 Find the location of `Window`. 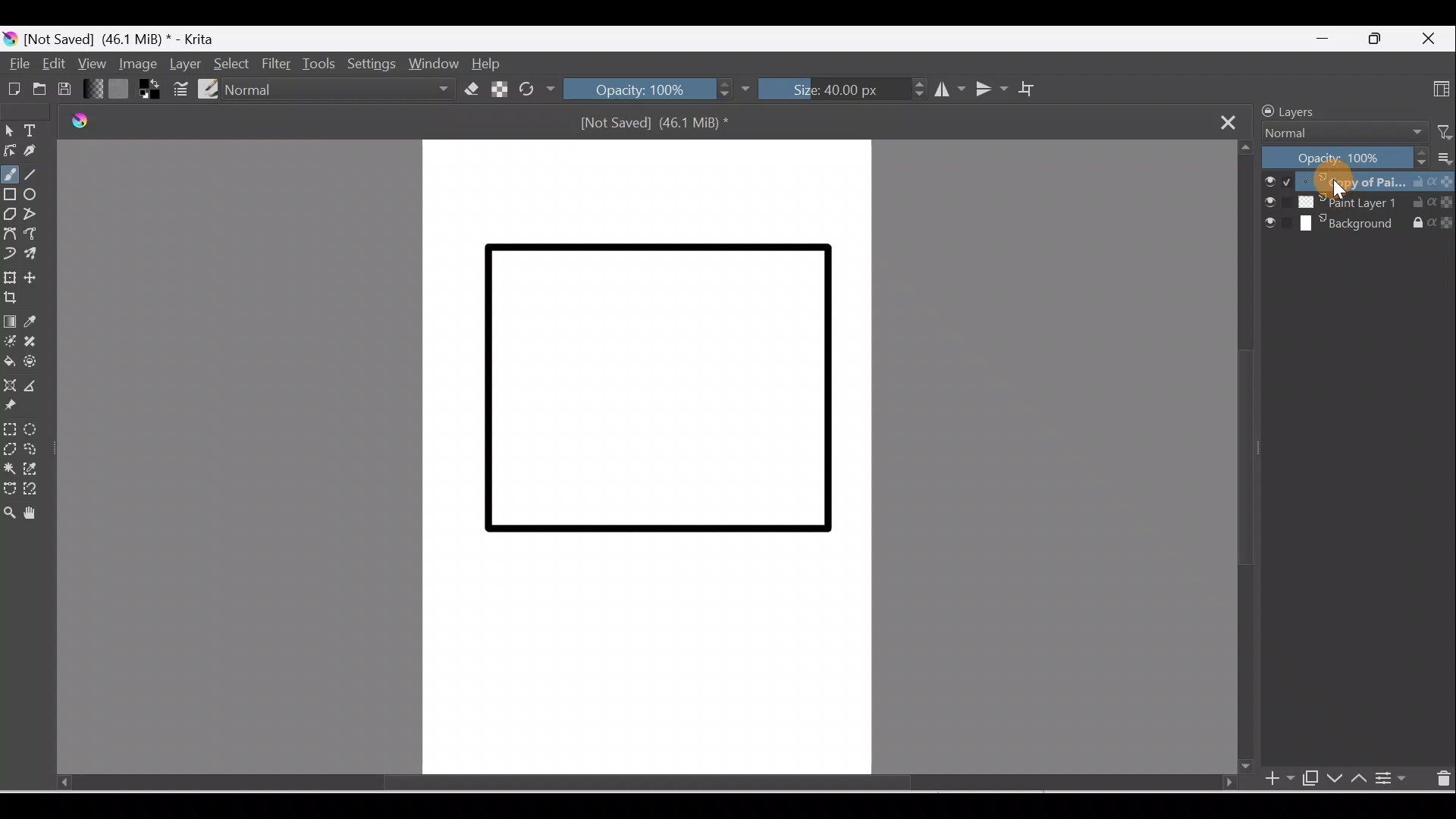

Window is located at coordinates (433, 63).